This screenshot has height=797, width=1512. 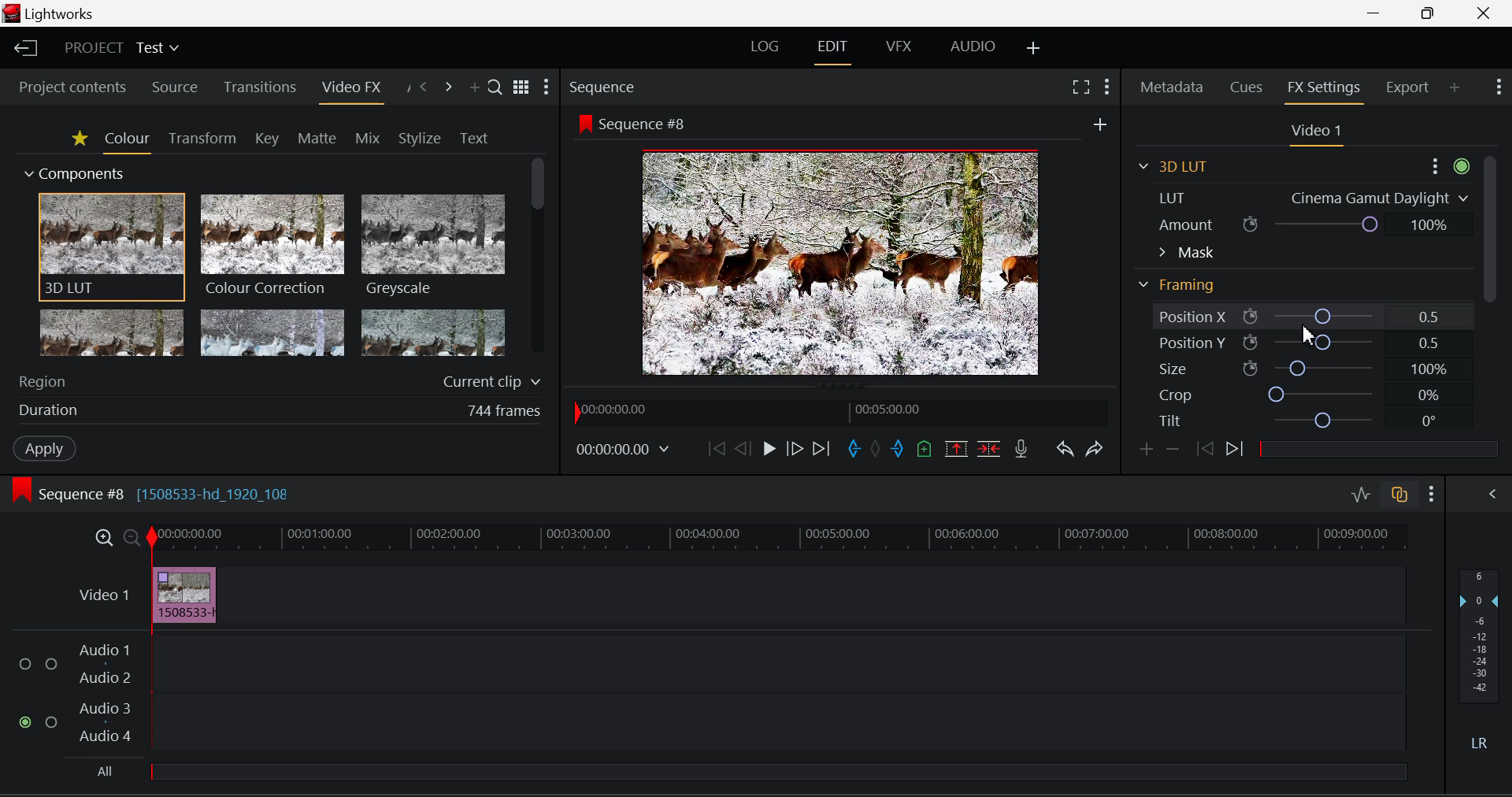 What do you see at coordinates (1322, 91) in the screenshot?
I see `FX Settings` at bounding box center [1322, 91].